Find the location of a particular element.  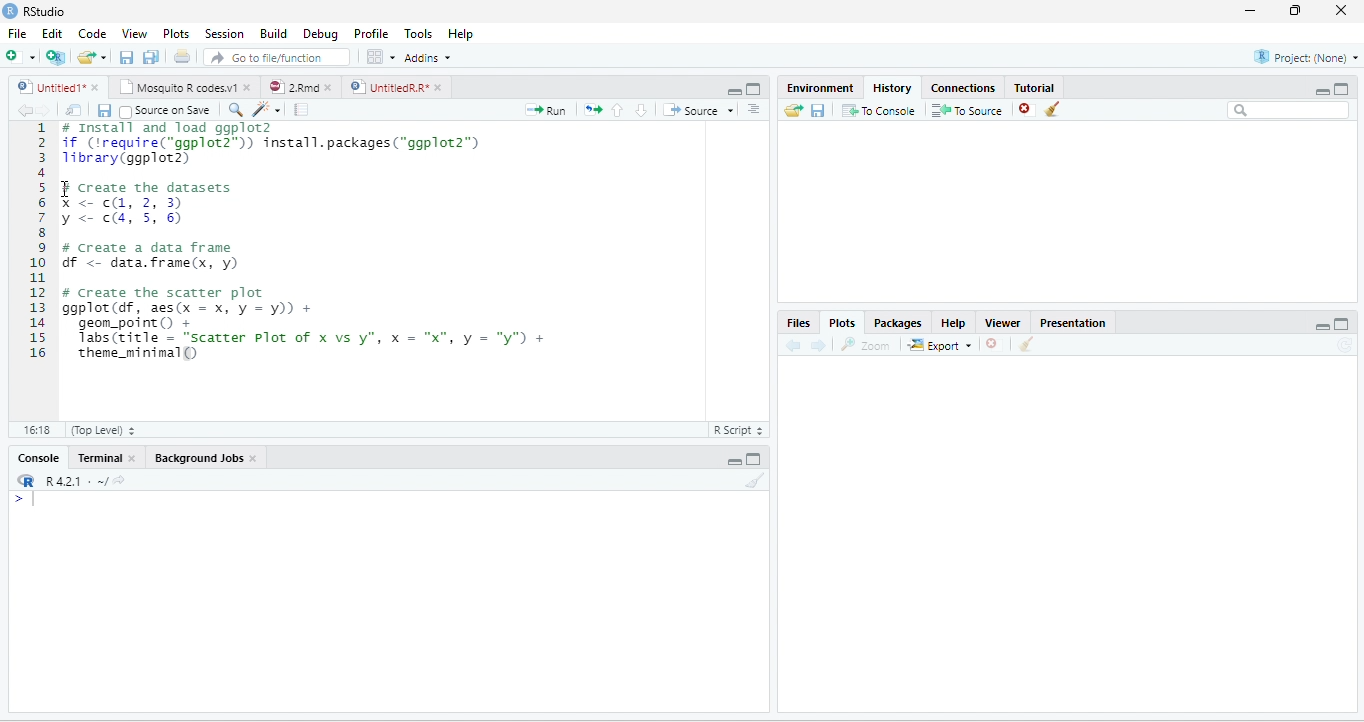

Edit is located at coordinates (51, 33).